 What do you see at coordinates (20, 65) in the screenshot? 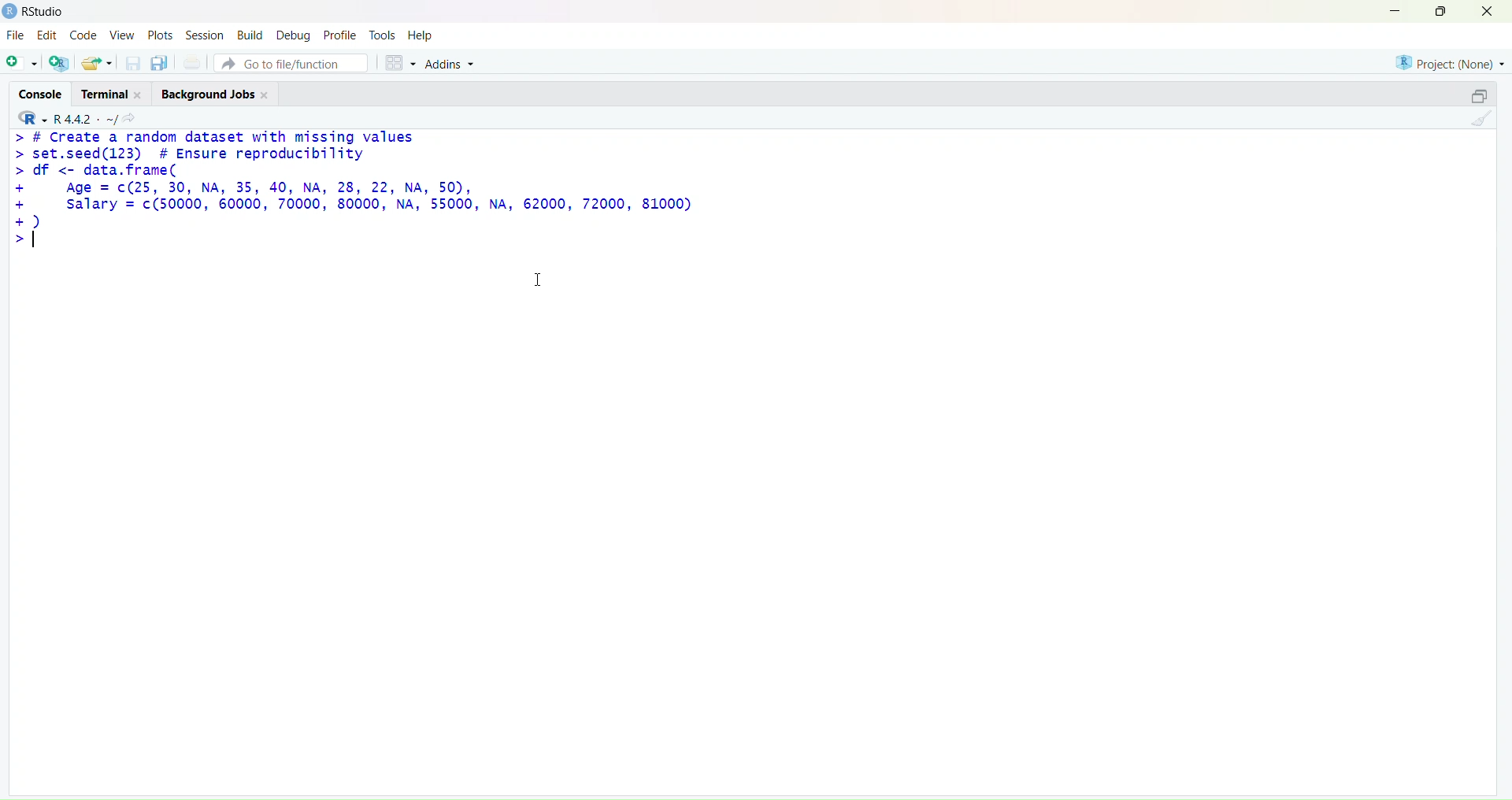
I see `new script` at bounding box center [20, 65].